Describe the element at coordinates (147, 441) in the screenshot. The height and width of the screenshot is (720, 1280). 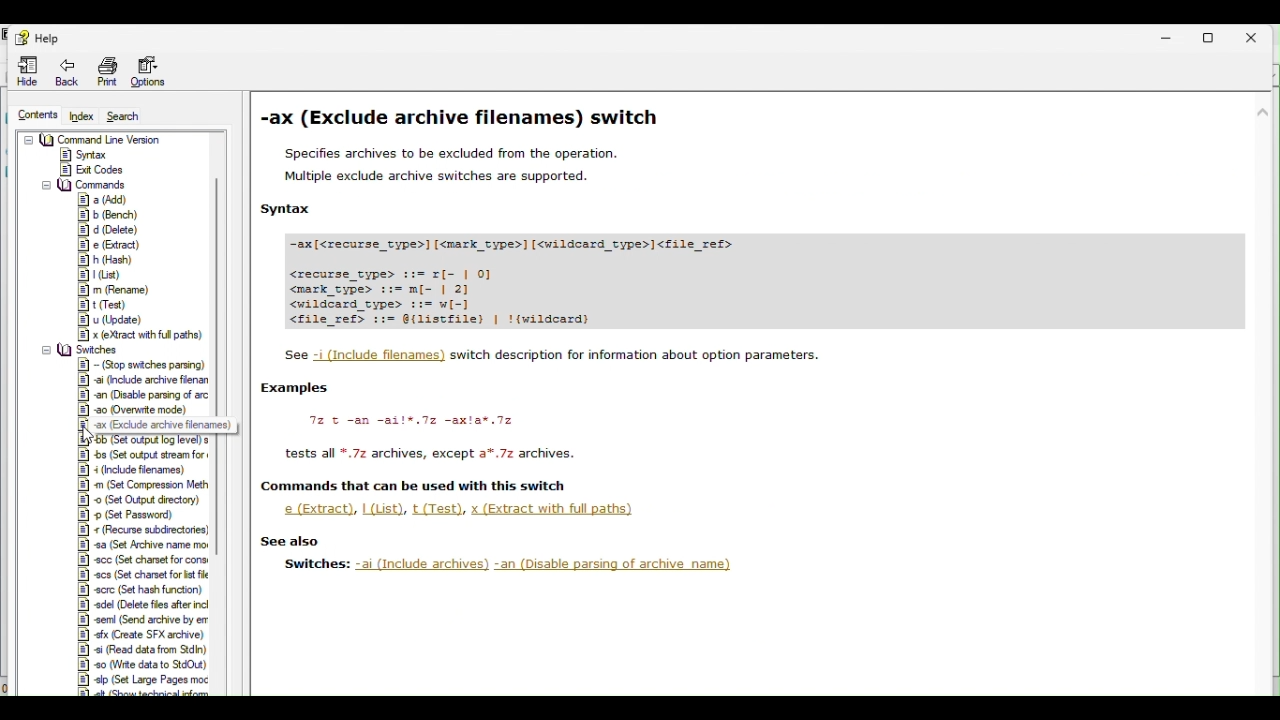
I see `|#yvob (Set output log level) s` at that location.